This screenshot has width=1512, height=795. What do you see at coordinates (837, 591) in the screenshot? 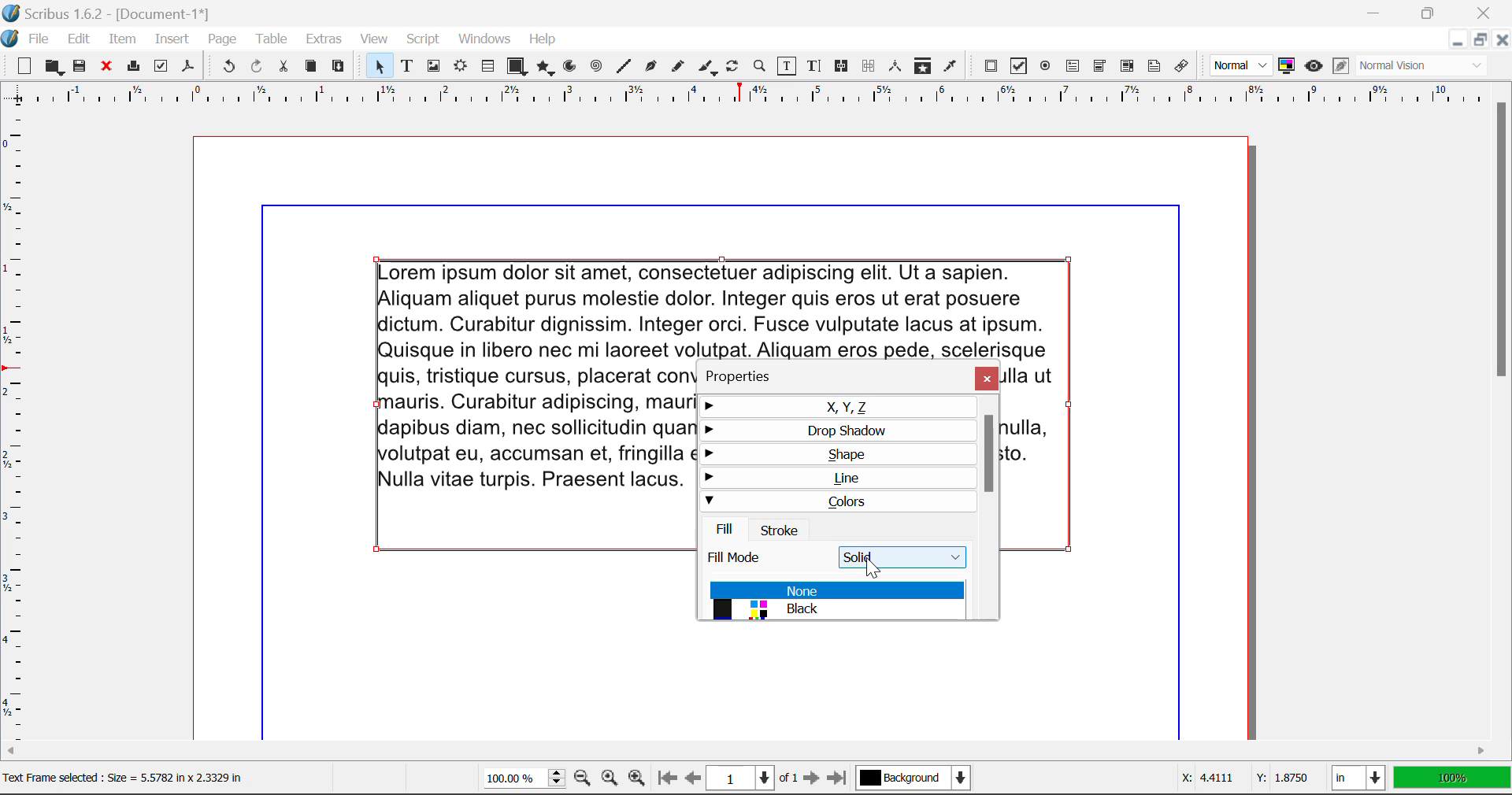
I see `None` at bounding box center [837, 591].